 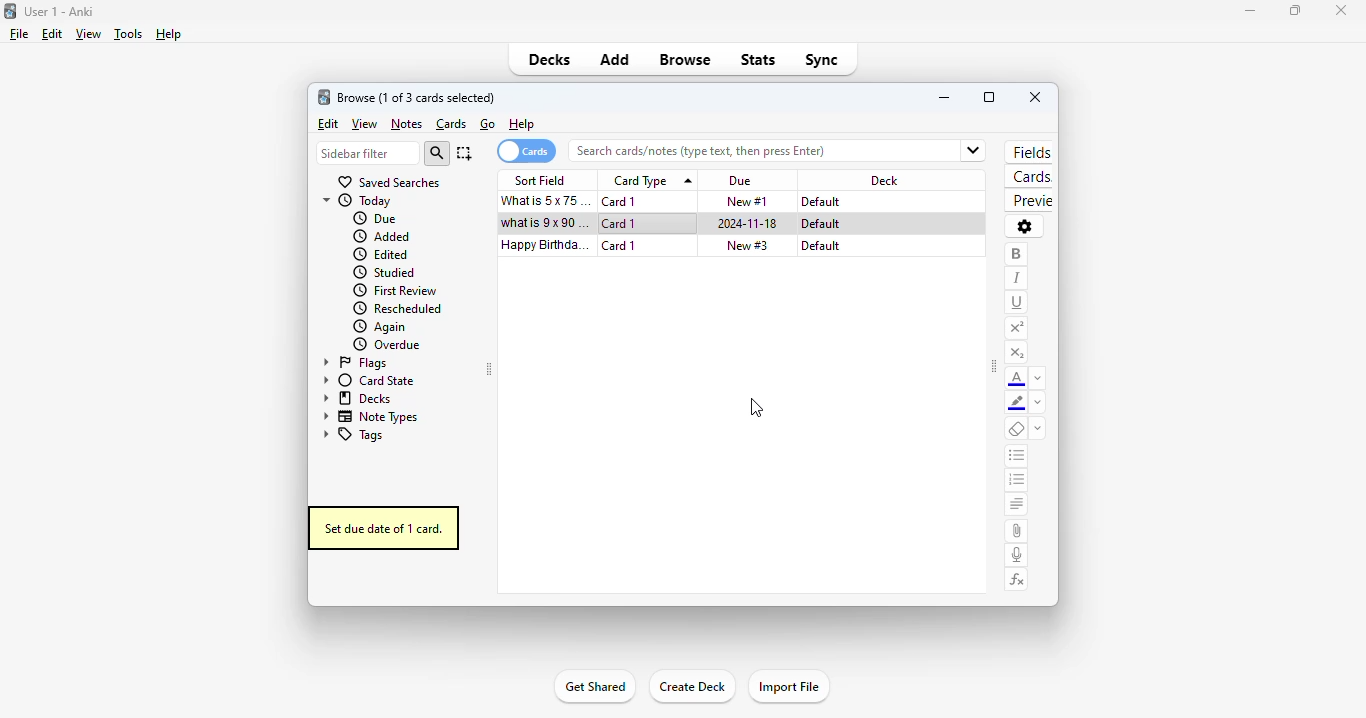 What do you see at coordinates (1017, 555) in the screenshot?
I see `record audio` at bounding box center [1017, 555].